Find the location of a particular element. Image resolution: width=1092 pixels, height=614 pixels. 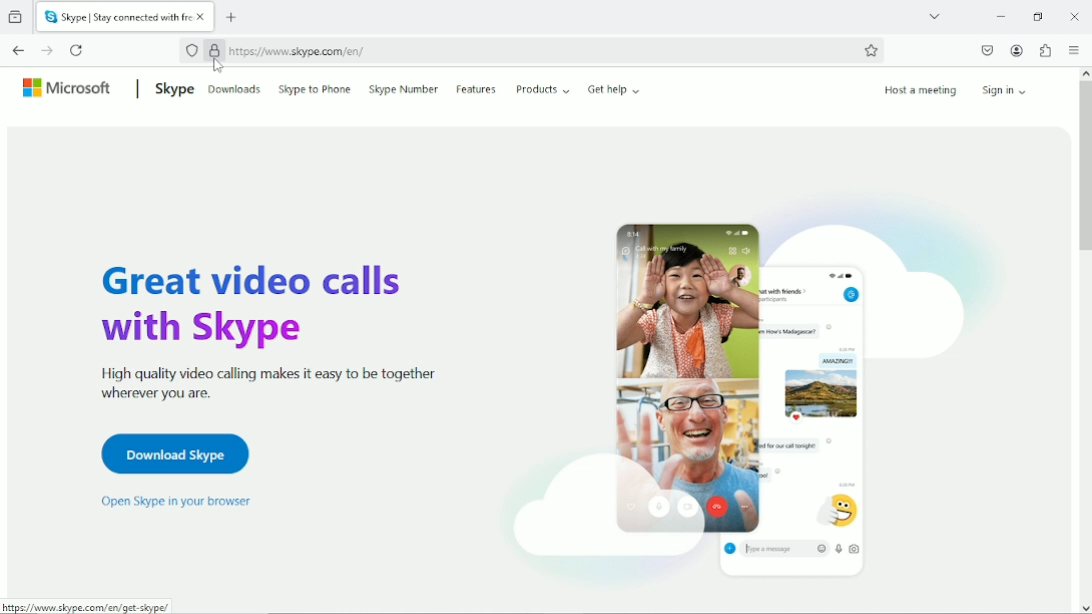

Current tab is located at coordinates (117, 17).